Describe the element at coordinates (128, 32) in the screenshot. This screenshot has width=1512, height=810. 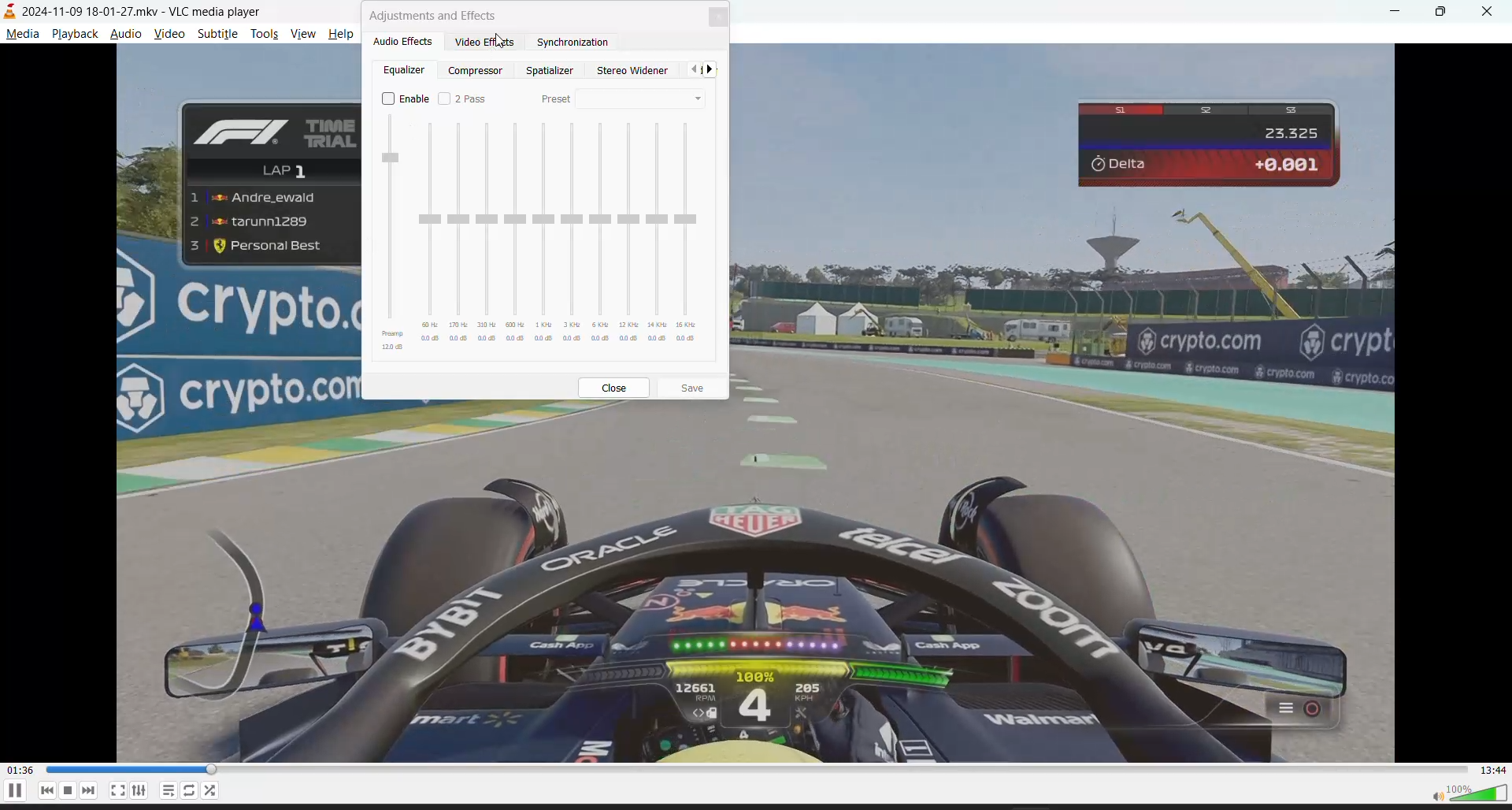
I see `audio` at that location.